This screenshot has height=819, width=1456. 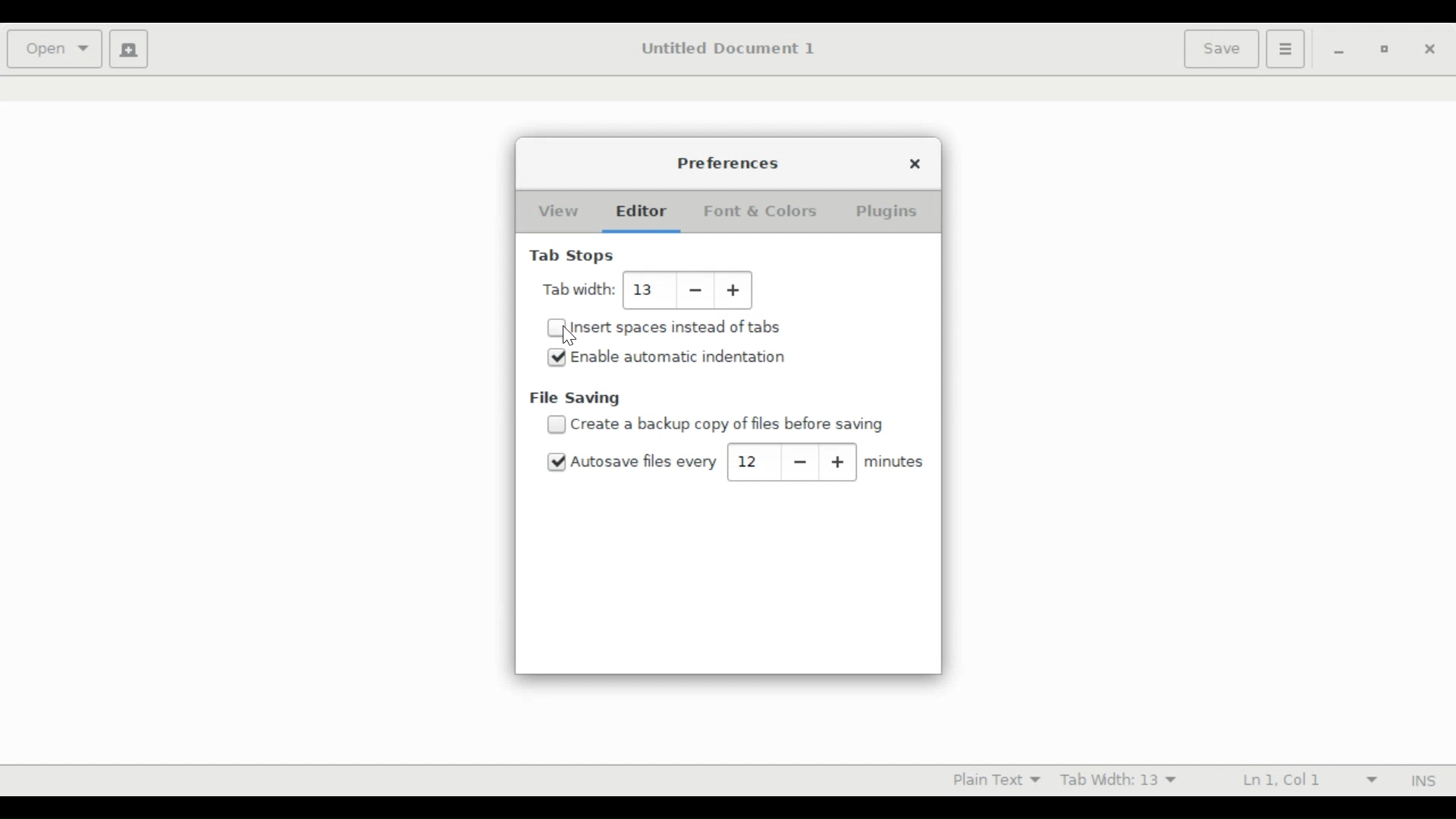 What do you see at coordinates (570, 338) in the screenshot?
I see `Cursor` at bounding box center [570, 338].